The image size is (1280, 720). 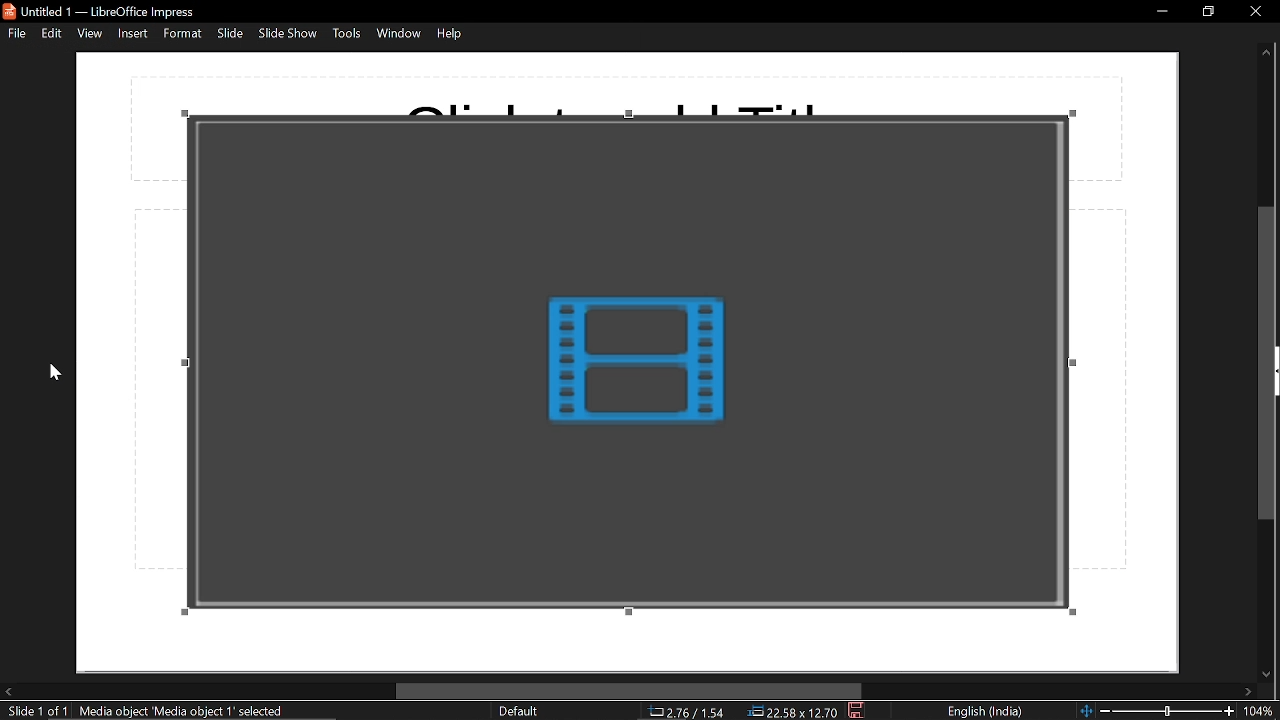 What do you see at coordinates (1266, 55) in the screenshot?
I see `move up` at bounding box center [1266, 55].